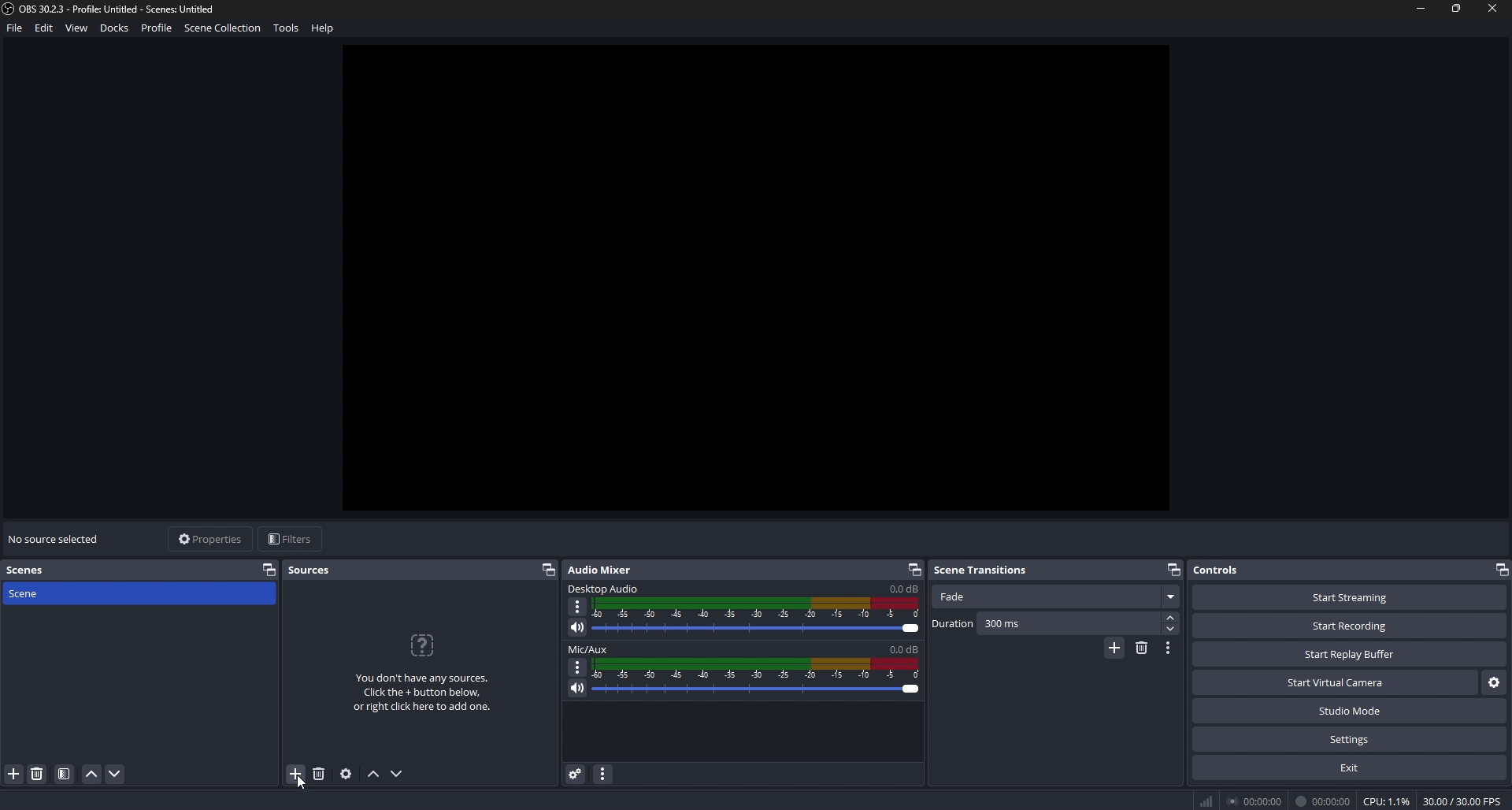 This screenshot has height=810, width=1512. Describe the element at coordinates (1349, 740) in the screenshot. I see `settings` at that location.